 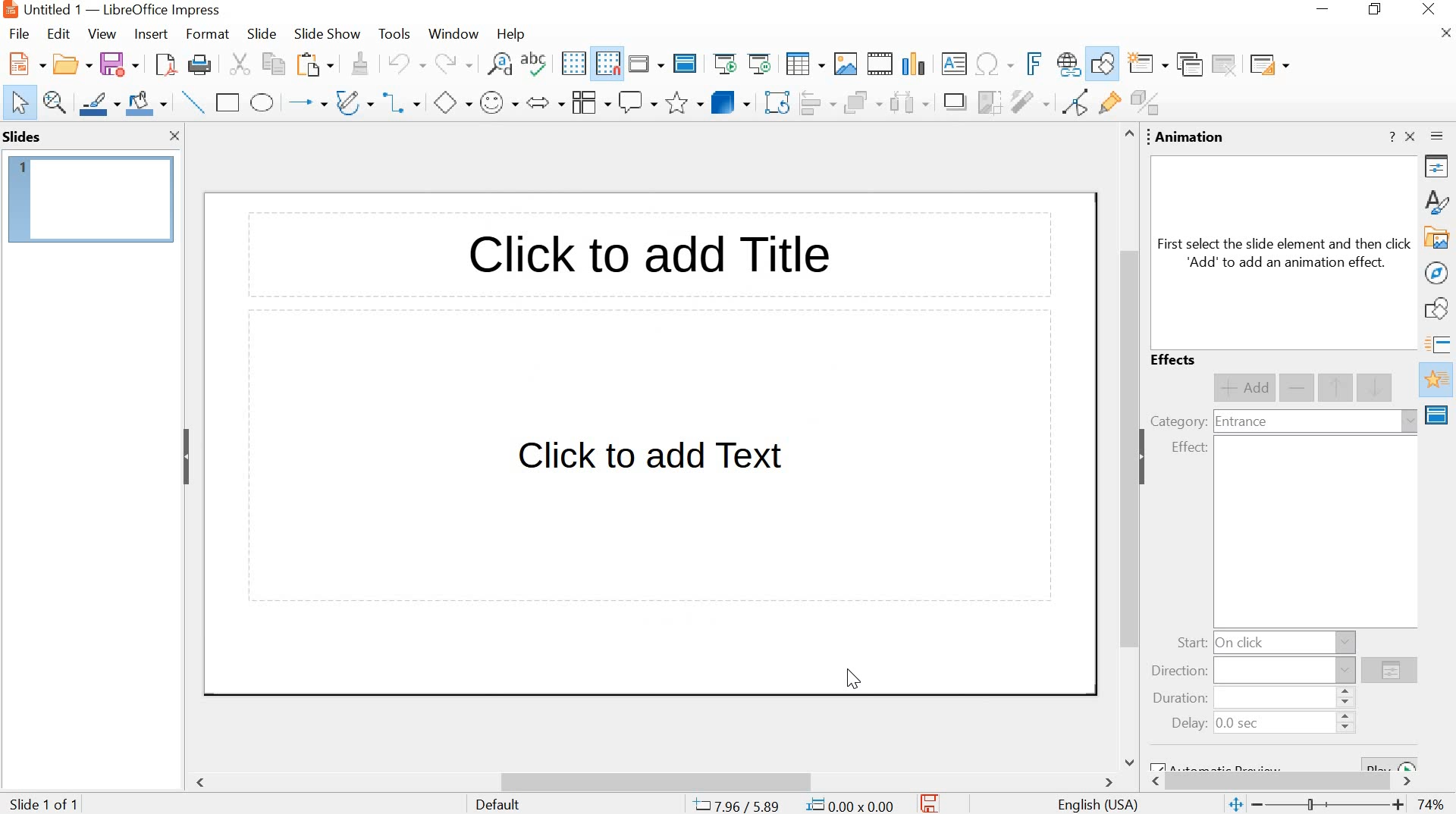 What do you see at coordinates (645, 64) in the screenshot?
I see `display views` at bounding box center [645, 64].